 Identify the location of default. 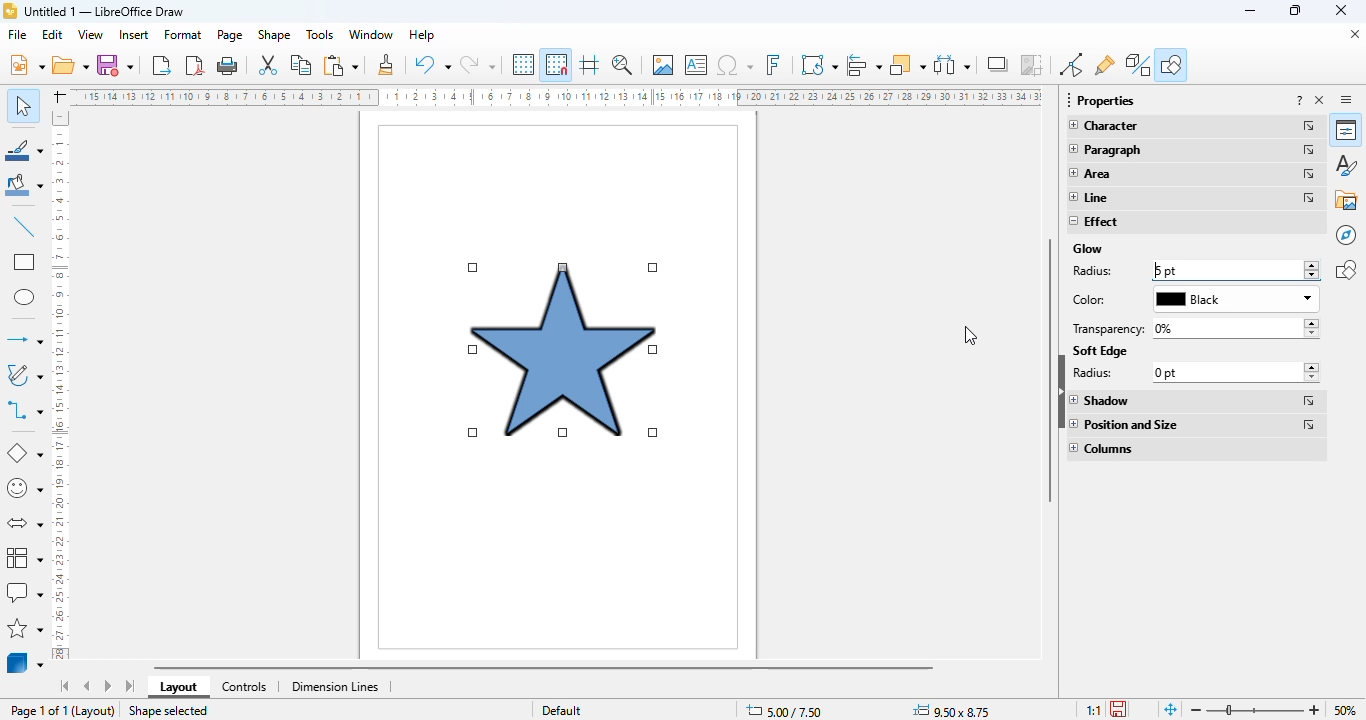
(562, 709).